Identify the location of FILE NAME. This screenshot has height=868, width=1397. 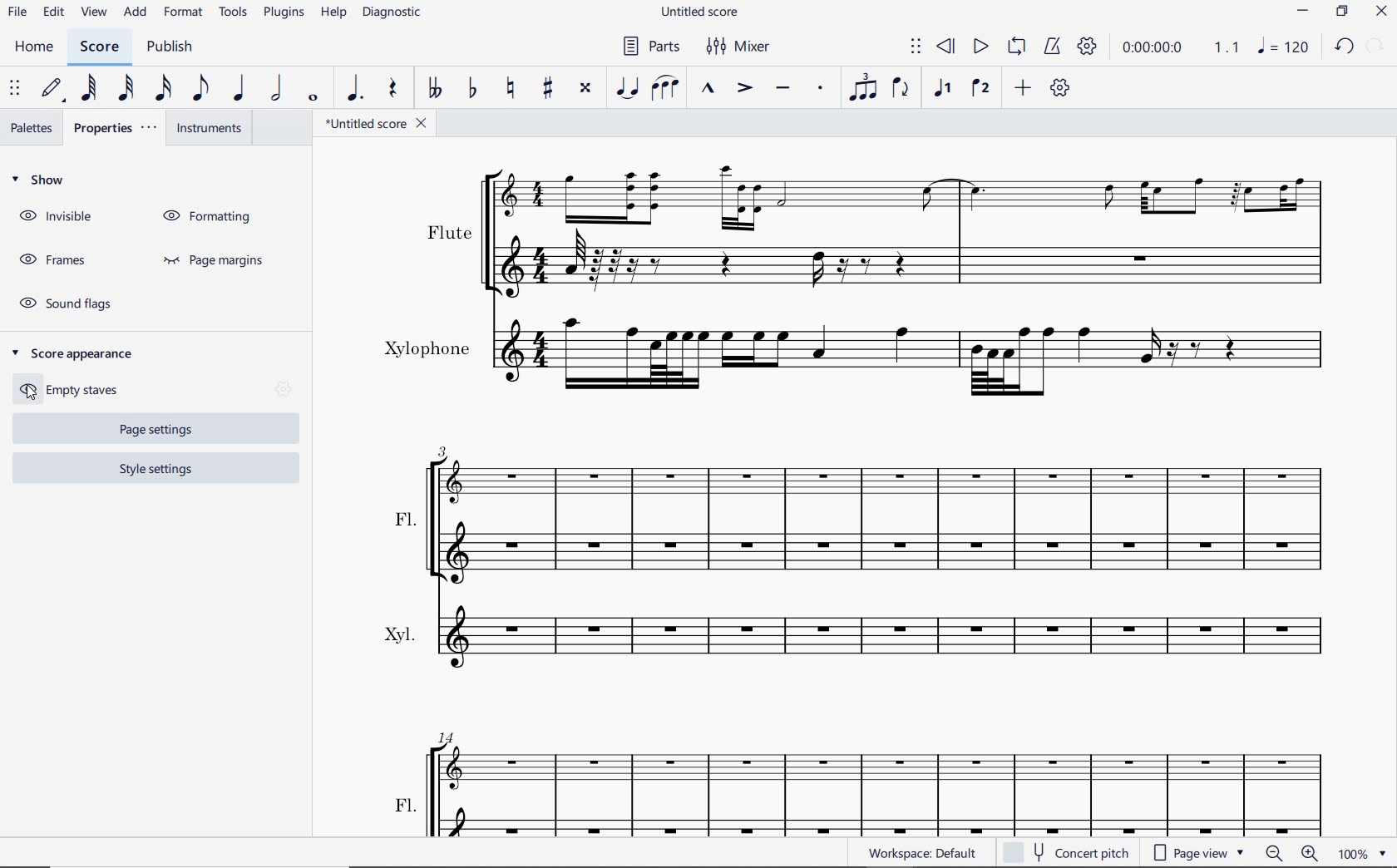
(378, 125).